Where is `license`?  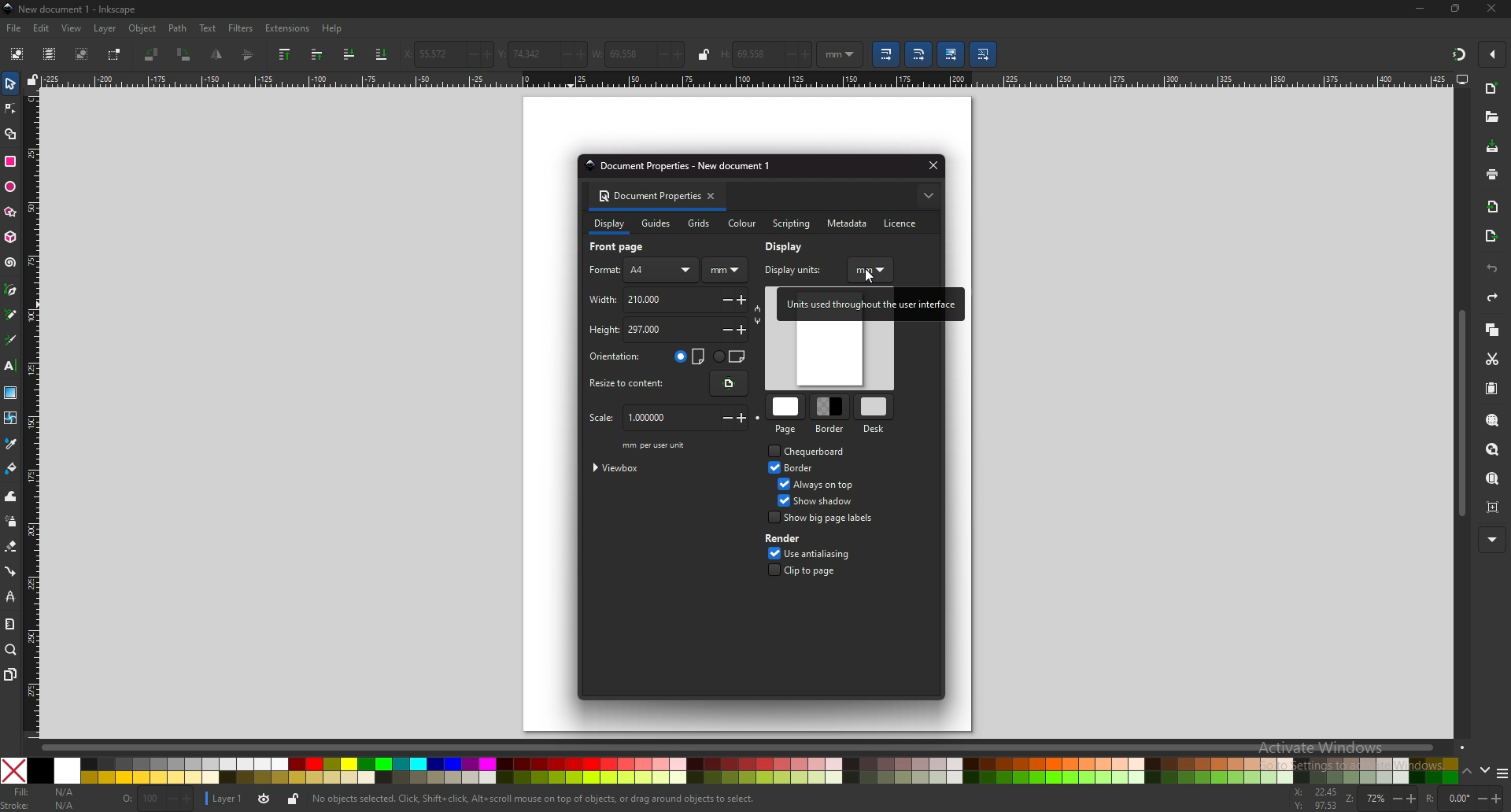 license is located at coordinates (904, 223).